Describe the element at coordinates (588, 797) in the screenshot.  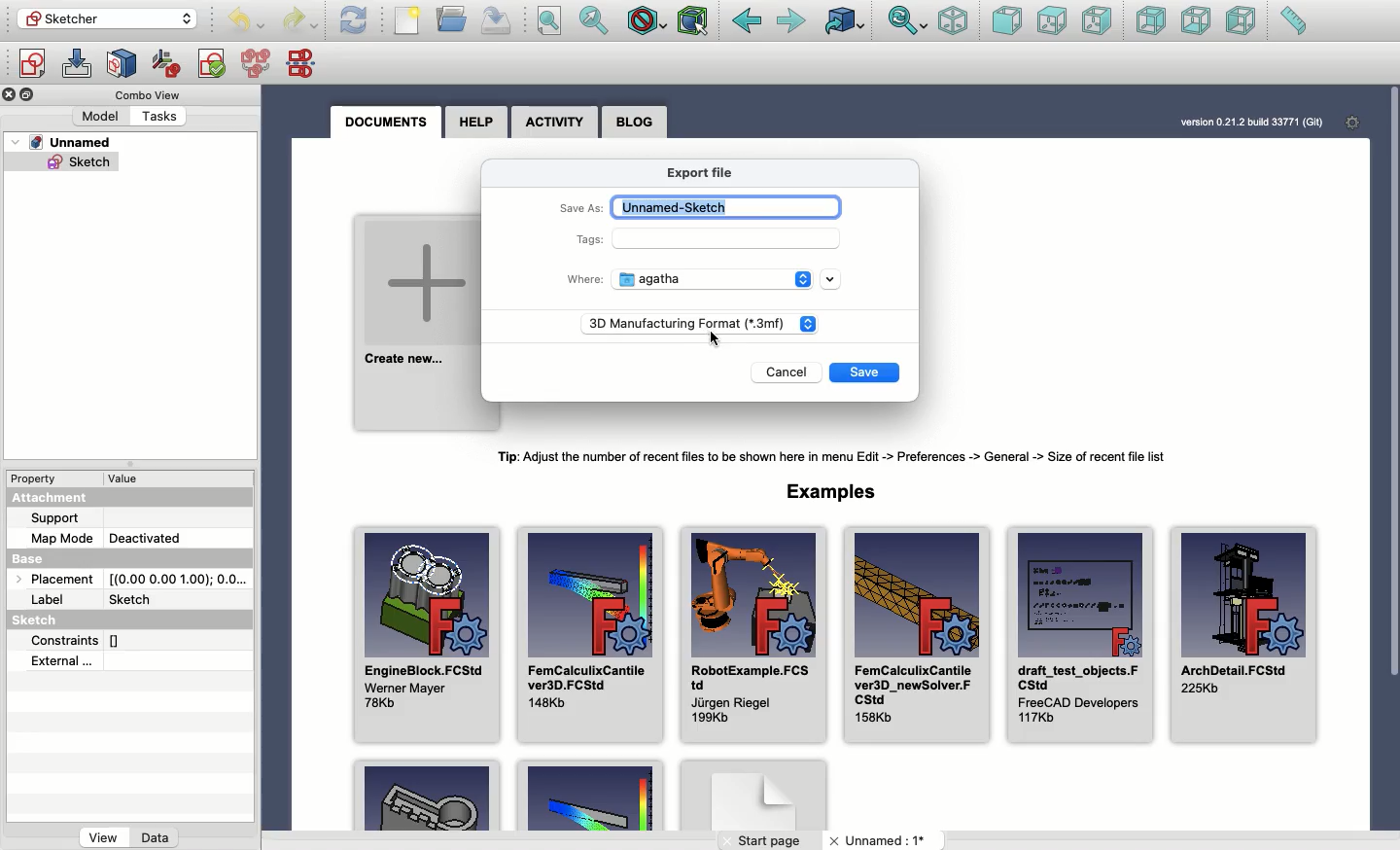
I see `Example 2` at that location.